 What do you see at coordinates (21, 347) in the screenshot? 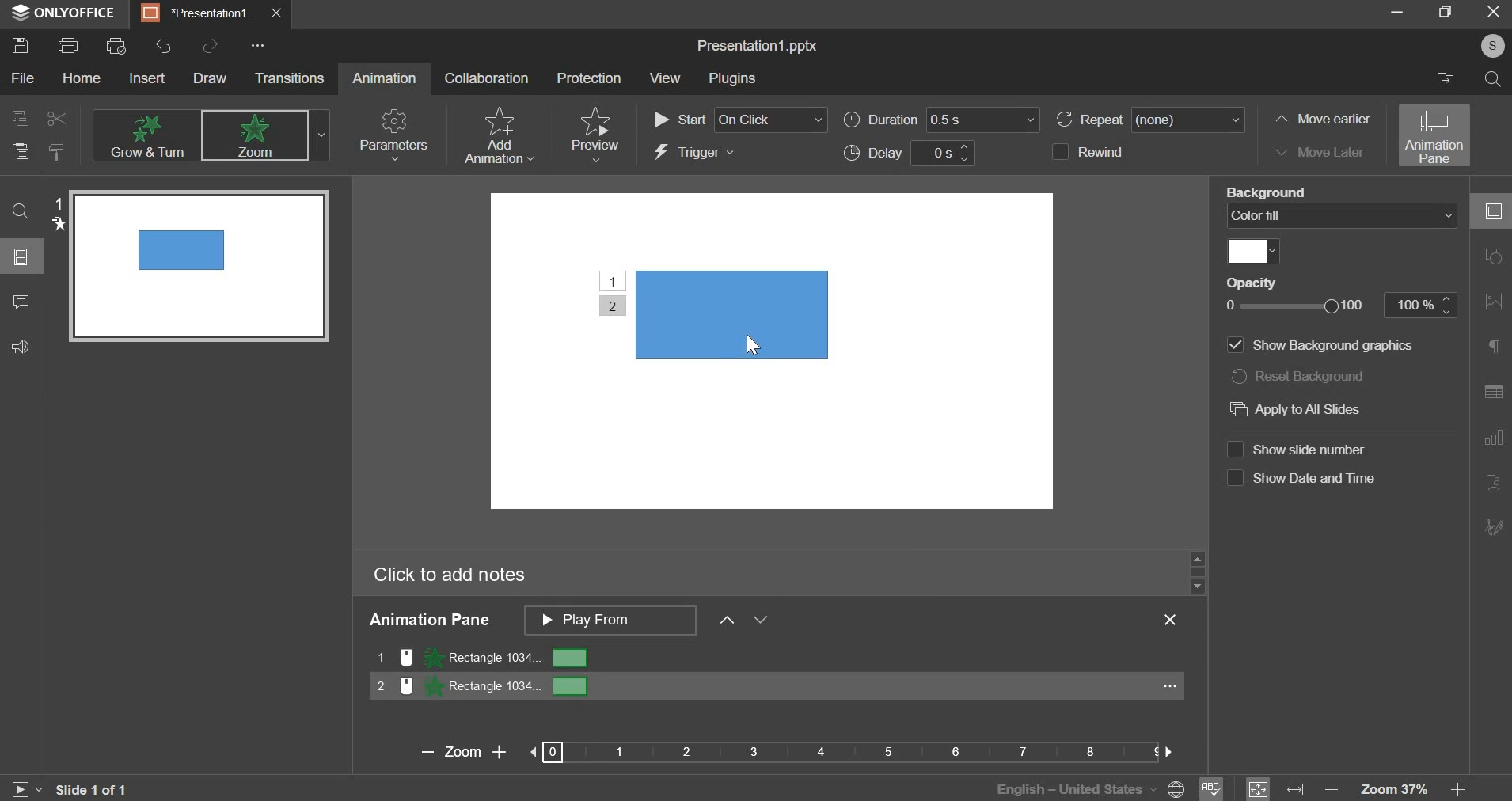
I see `feedback` at bounding box center [21, 347].